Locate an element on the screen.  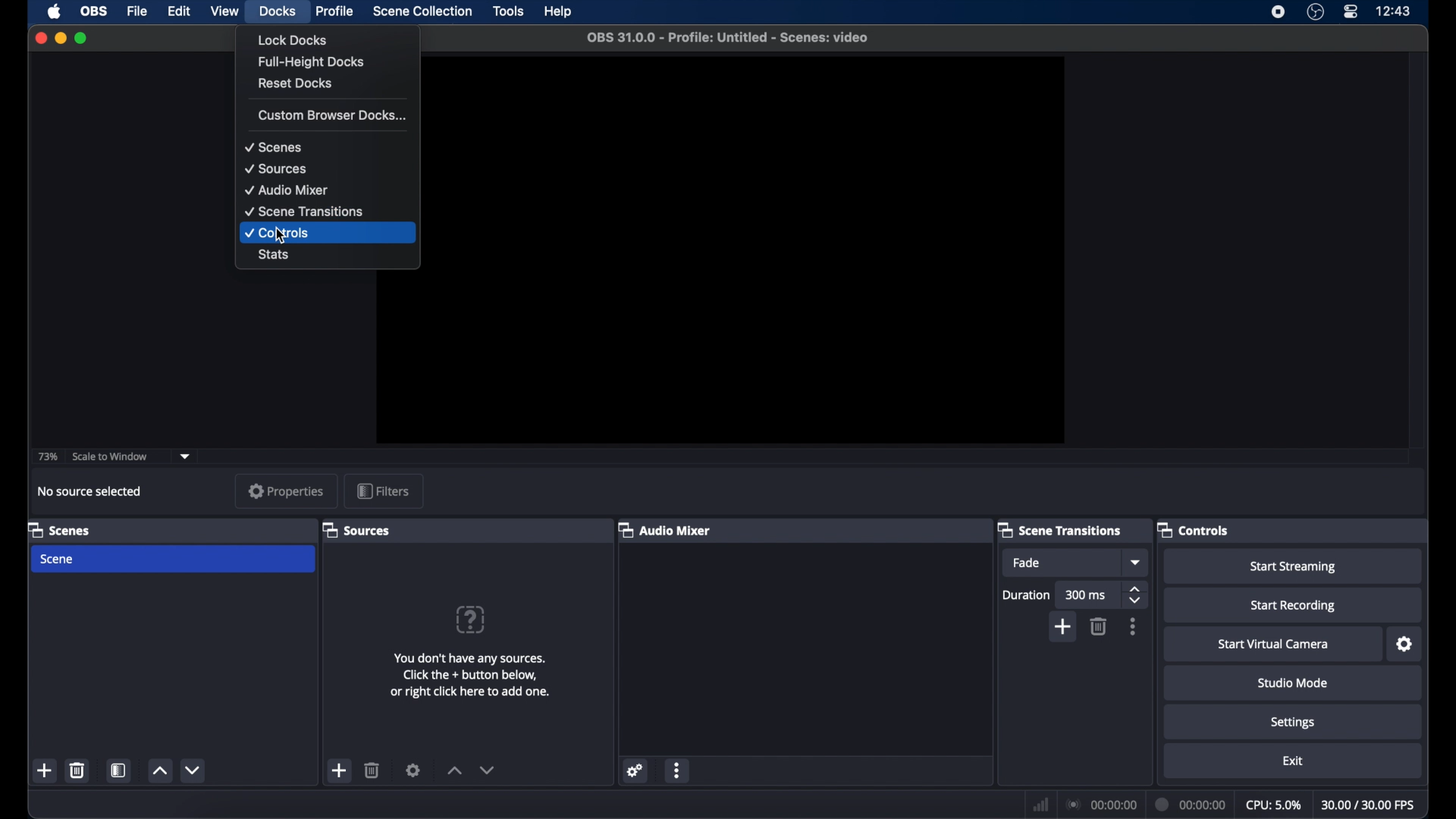
stats is located at coordinates (275, 255).